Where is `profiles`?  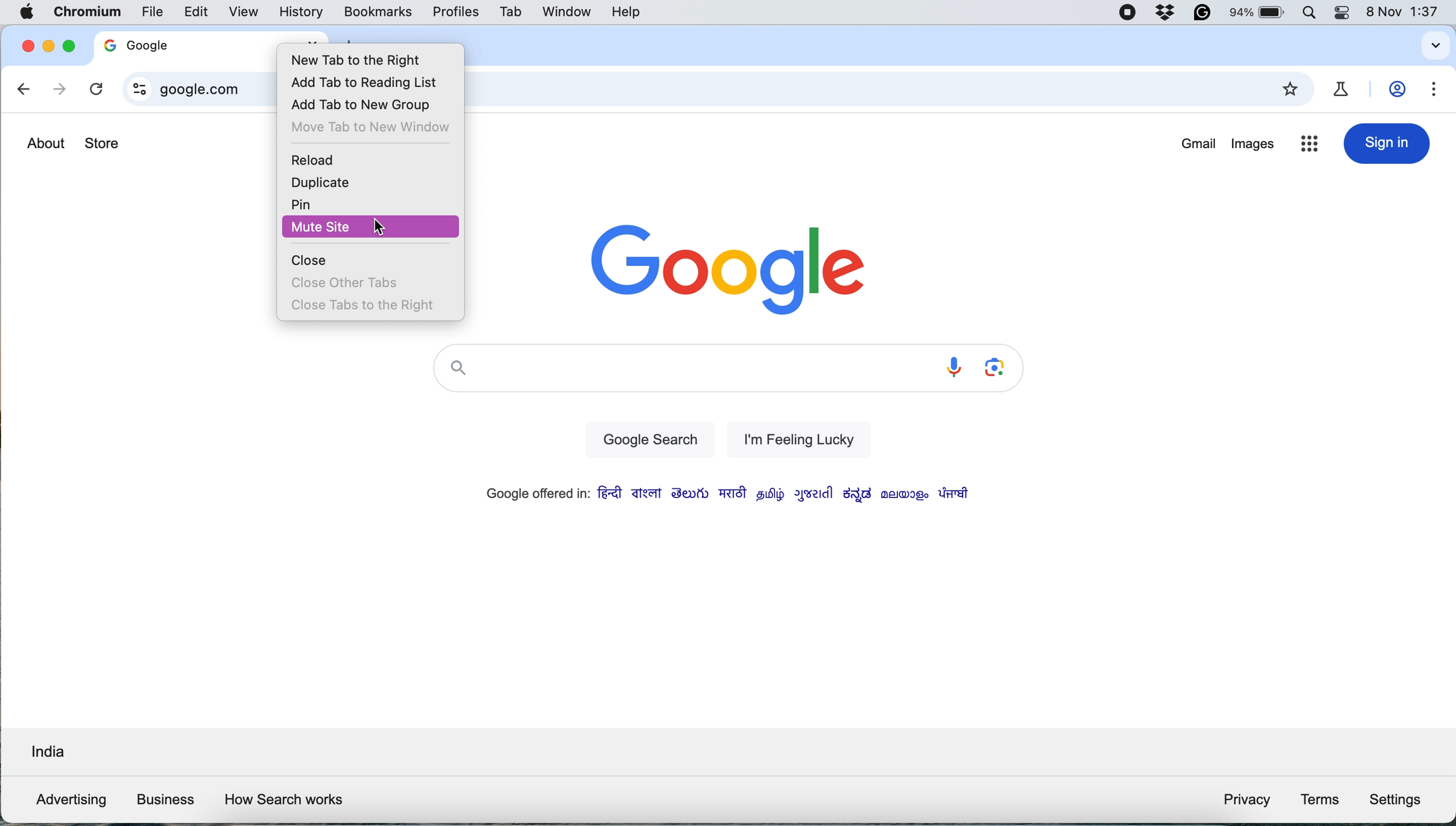
profiles is located at coordinates (455, 11).